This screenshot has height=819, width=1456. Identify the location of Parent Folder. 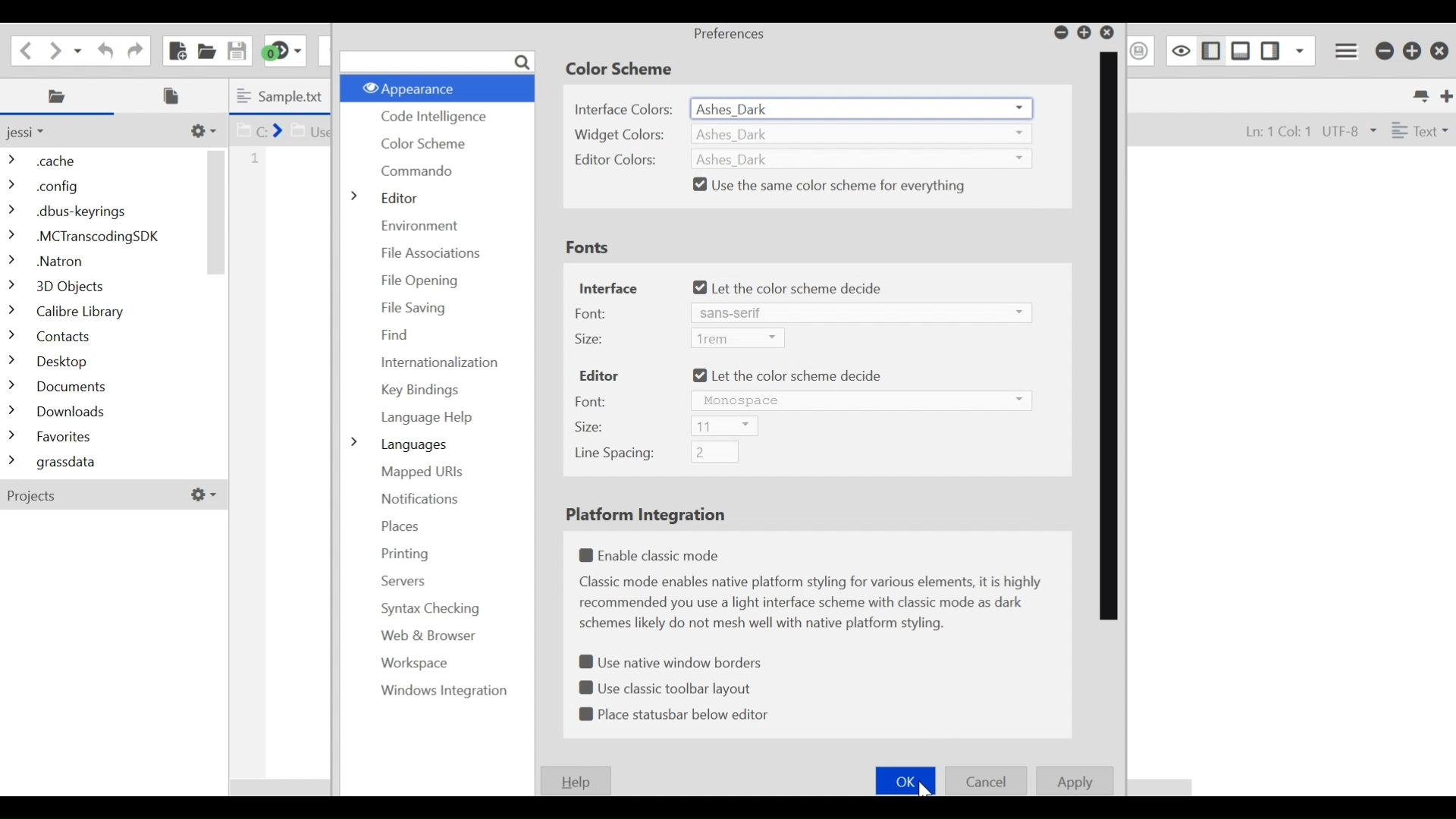
(34, 132).